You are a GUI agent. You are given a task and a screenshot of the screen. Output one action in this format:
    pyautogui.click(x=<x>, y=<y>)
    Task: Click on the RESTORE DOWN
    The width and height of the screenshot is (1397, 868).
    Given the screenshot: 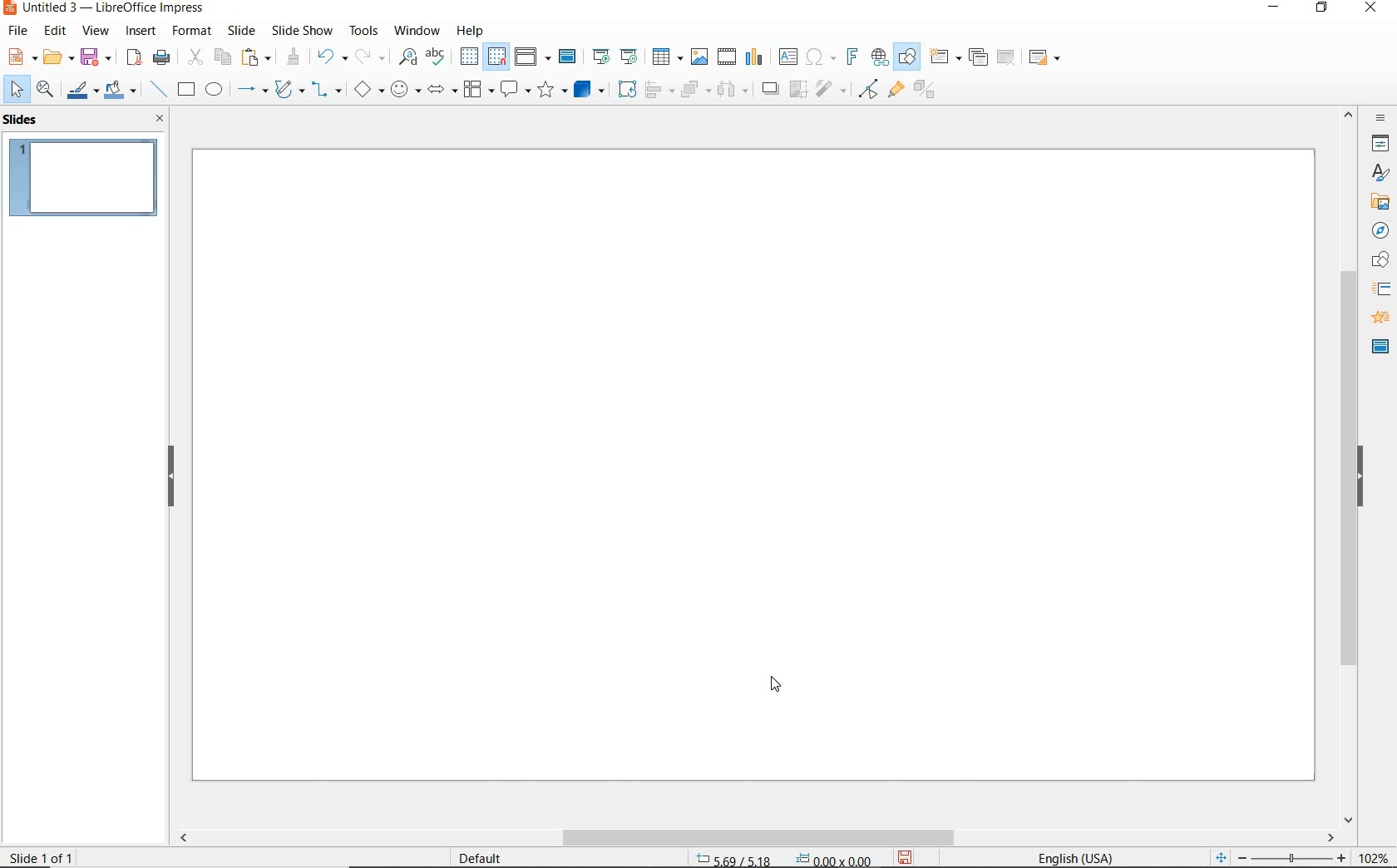 What is the action you would take?
    pyautogui.click(x=1323, y=8)
    